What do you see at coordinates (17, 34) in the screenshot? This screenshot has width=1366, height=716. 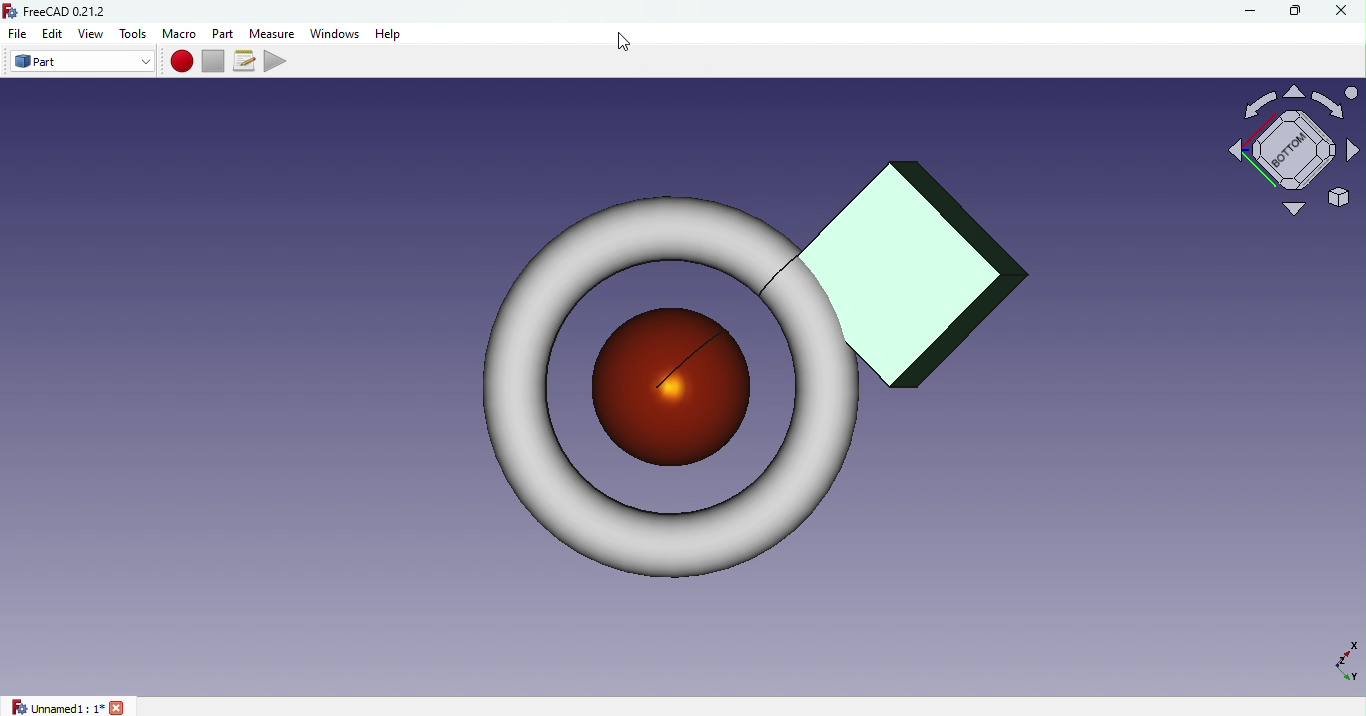 I see `File` at bounding box center [17, 34].